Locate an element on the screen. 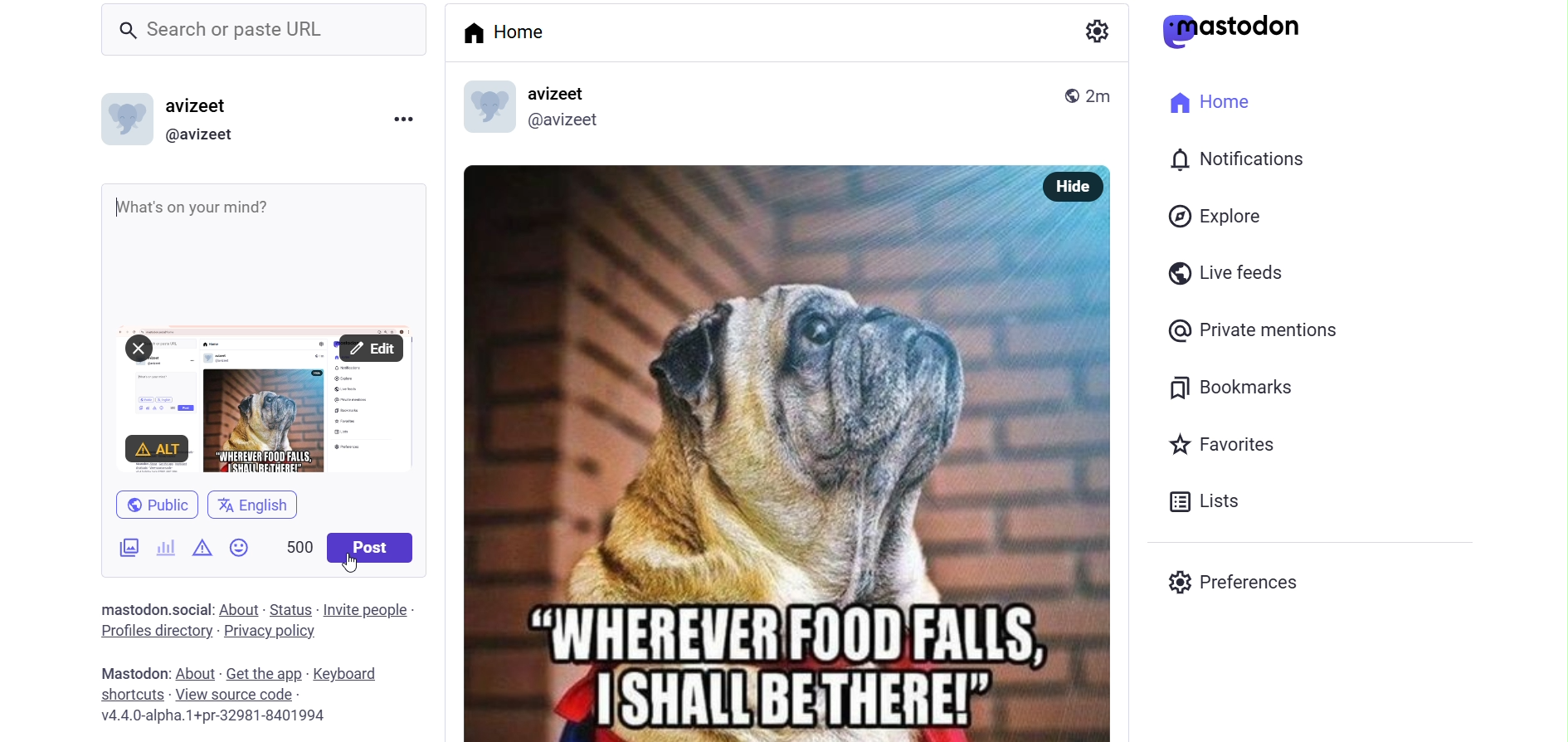 The height and width of the screenshot is (742, 1568). image/videos is located at coordinates (123, 546).